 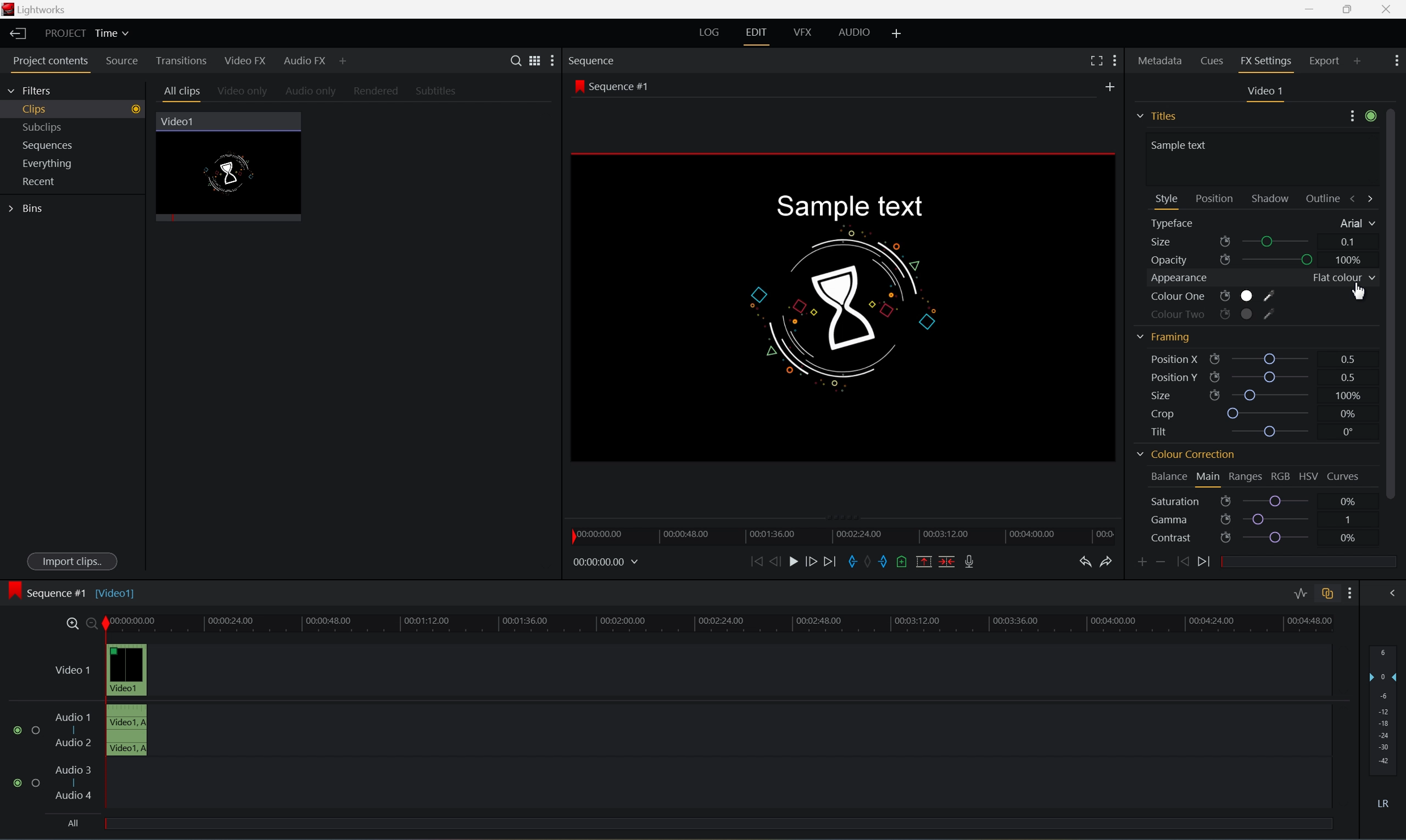 What do you see at coordinates (531, 59) in the screenshot?
I see `View` at bounding box center [531, 59].